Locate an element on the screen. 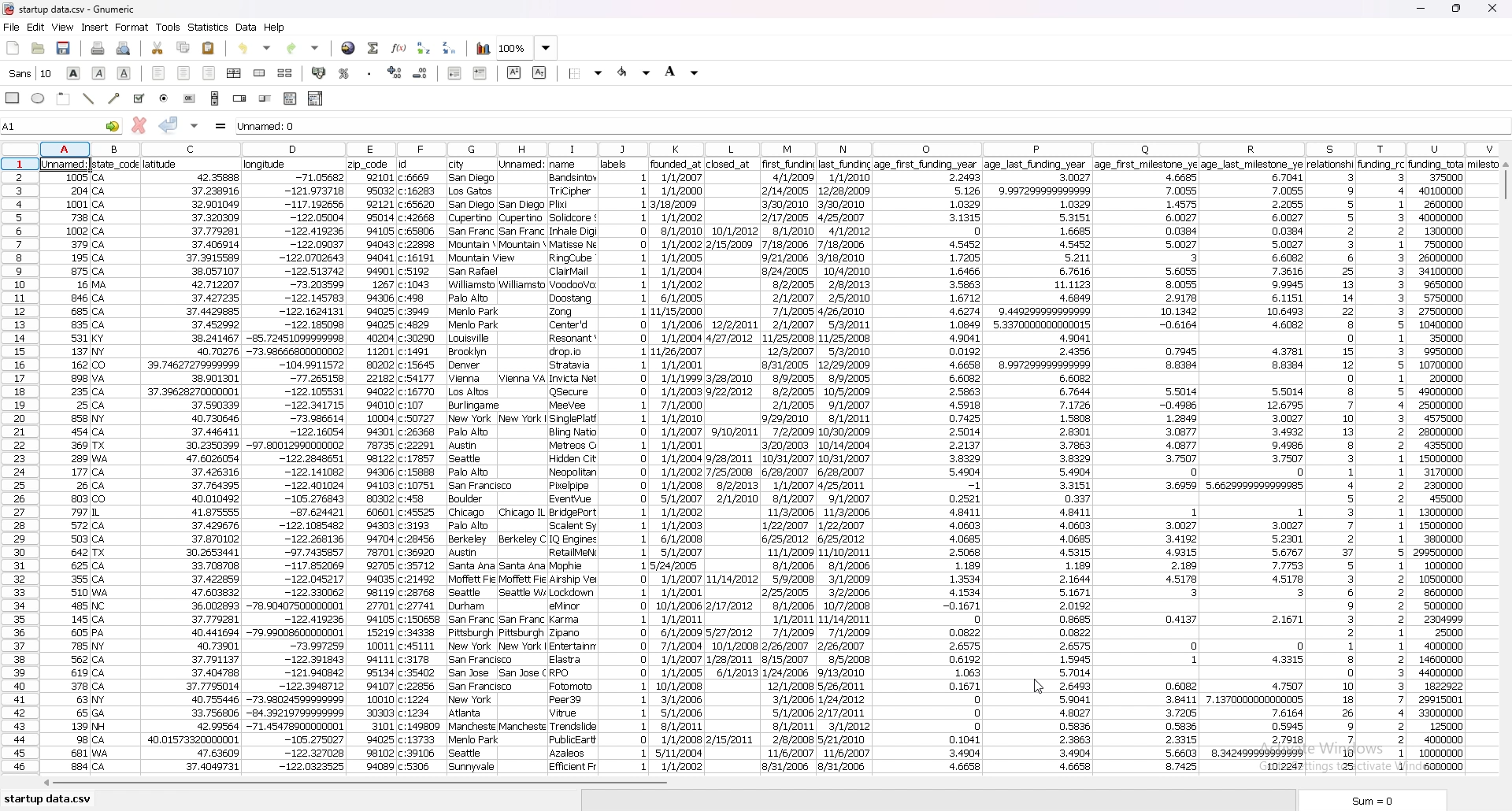  print is located at coordinates (97, 49).